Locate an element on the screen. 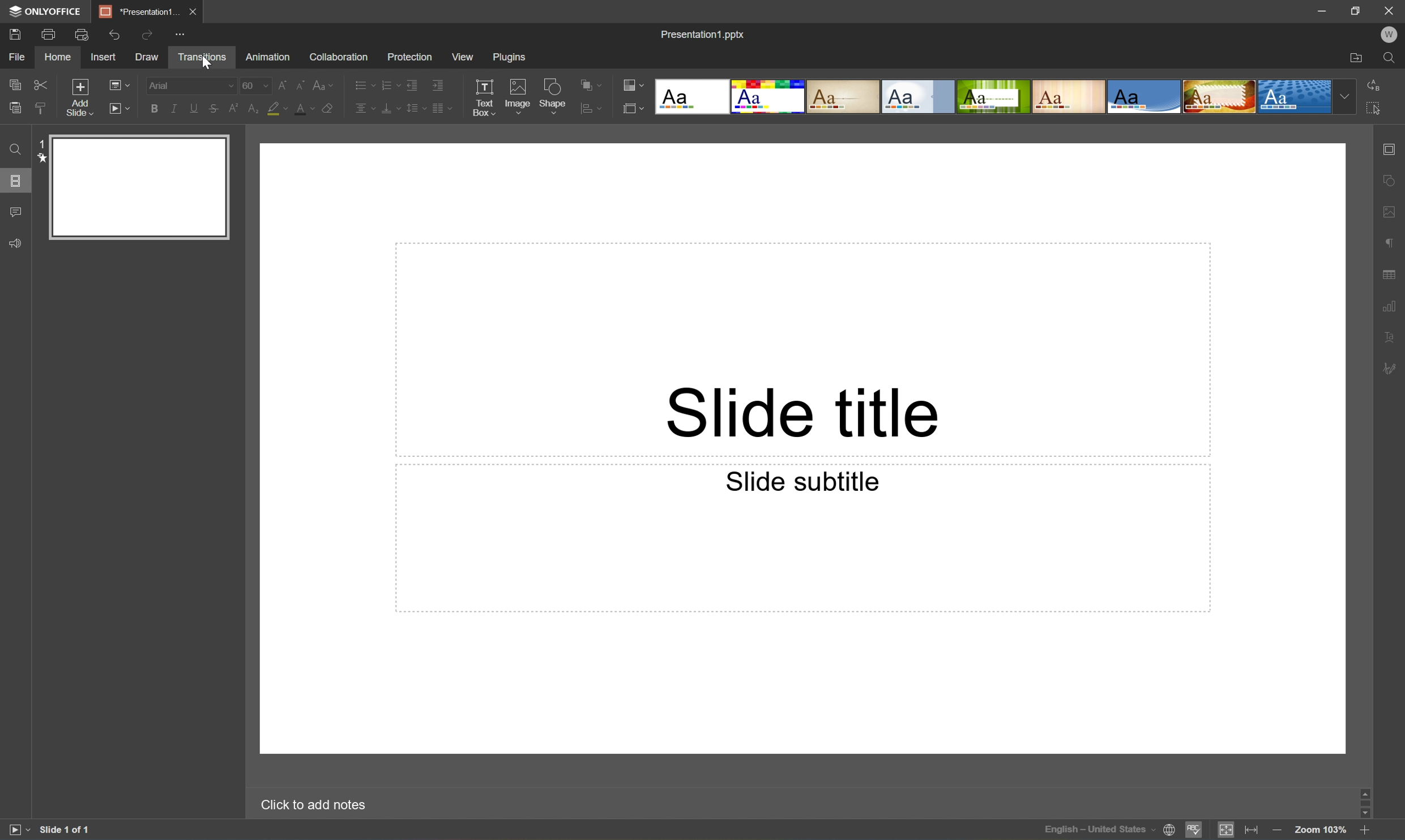  Slide is located at coordinates (139, 187).